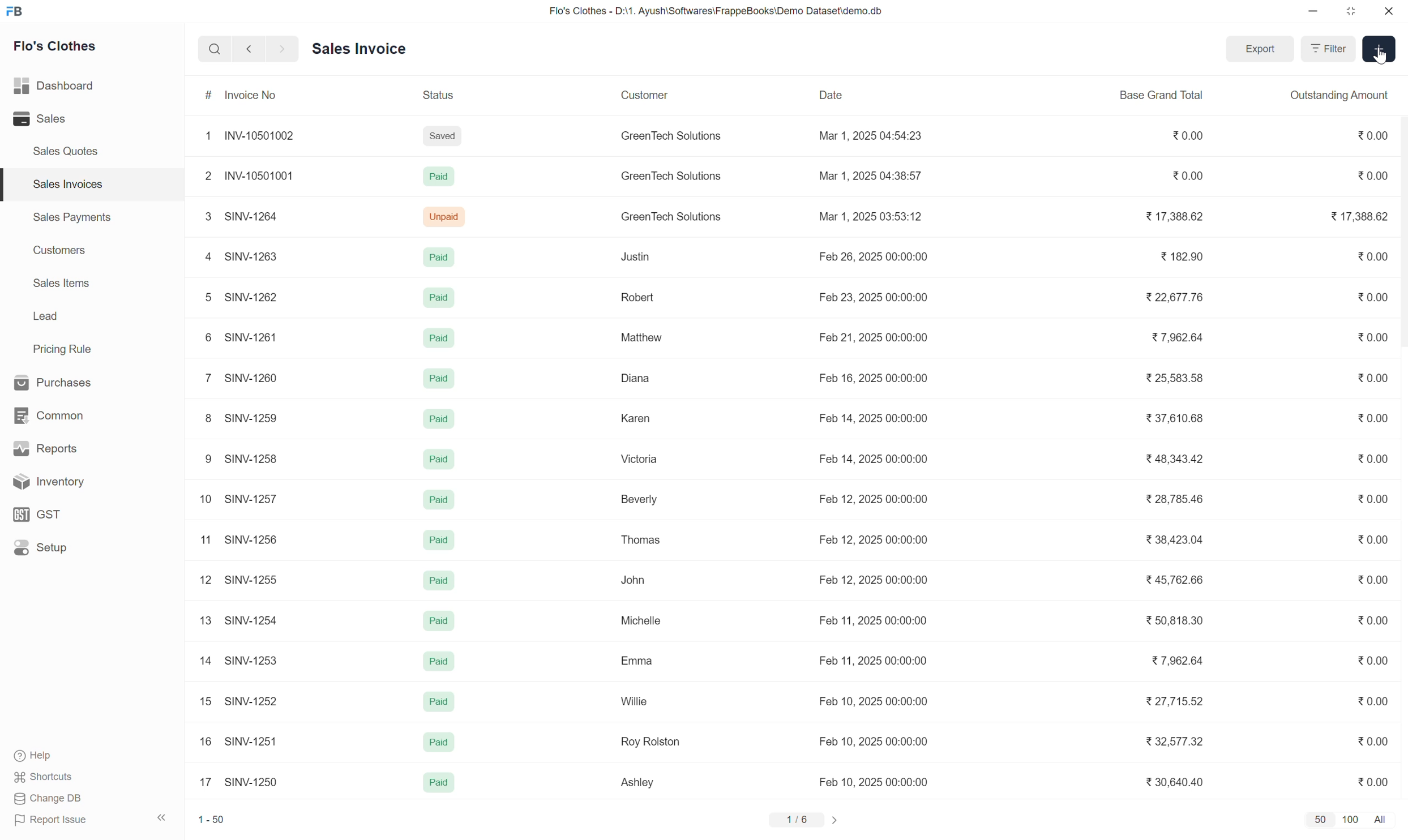  Describe the element at coordinates (872, 377) in the screenshot. I see `Feb 16, 2025 00:00:00` at that location.